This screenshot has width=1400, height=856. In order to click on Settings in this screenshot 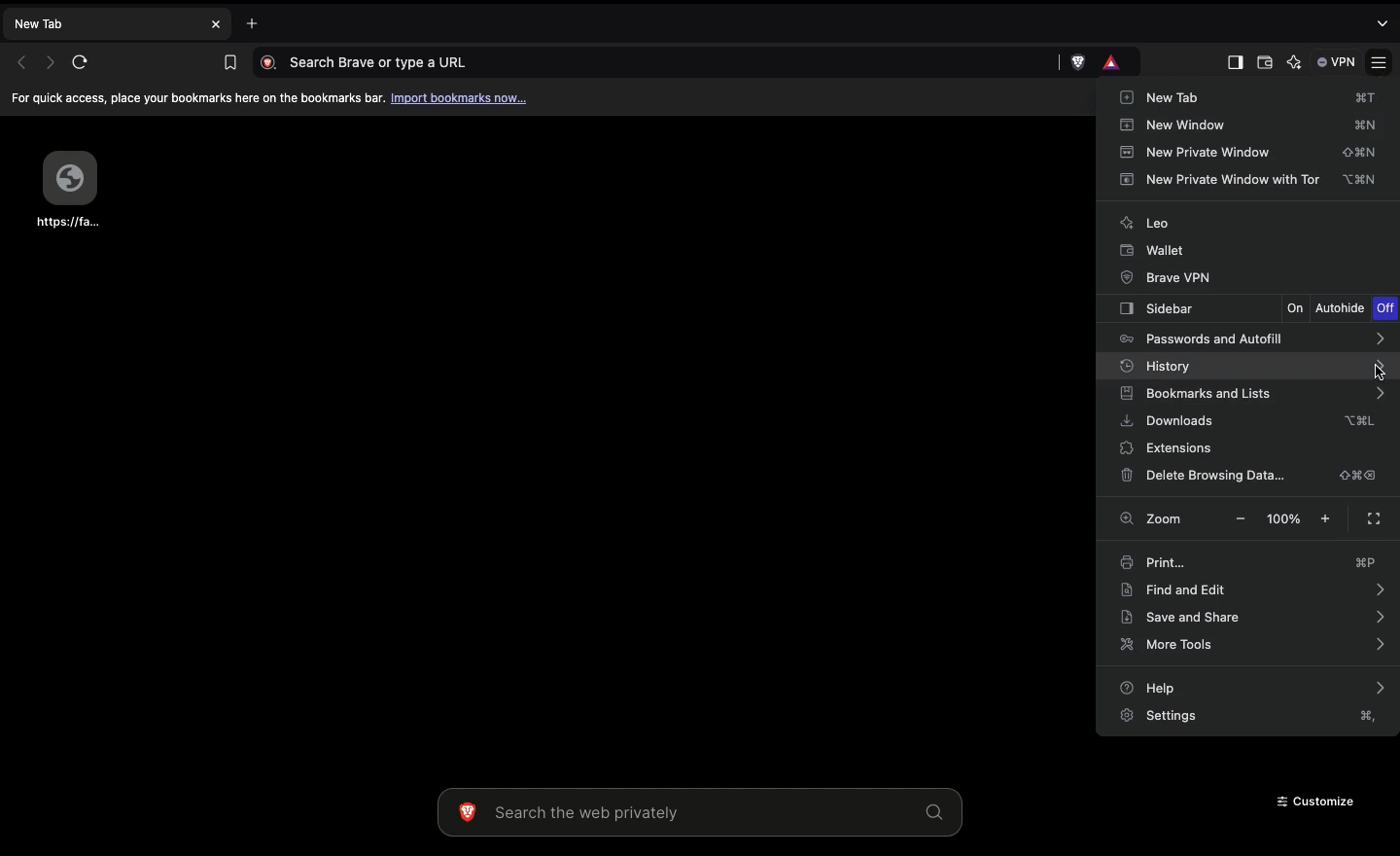, I will do `click(1251, 715)`.